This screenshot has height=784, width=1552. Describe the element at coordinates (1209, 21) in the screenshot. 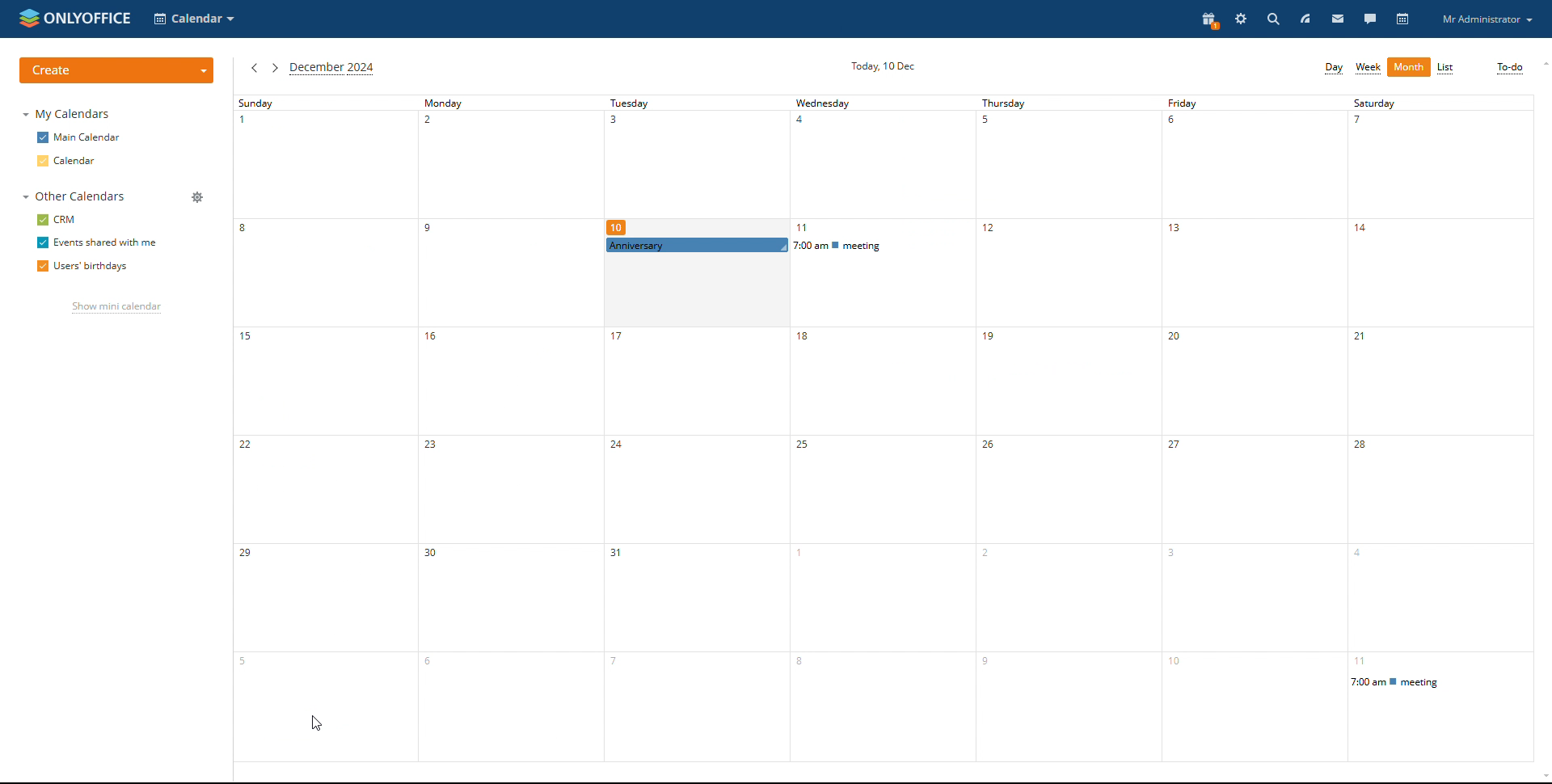

I see `present` at that location.